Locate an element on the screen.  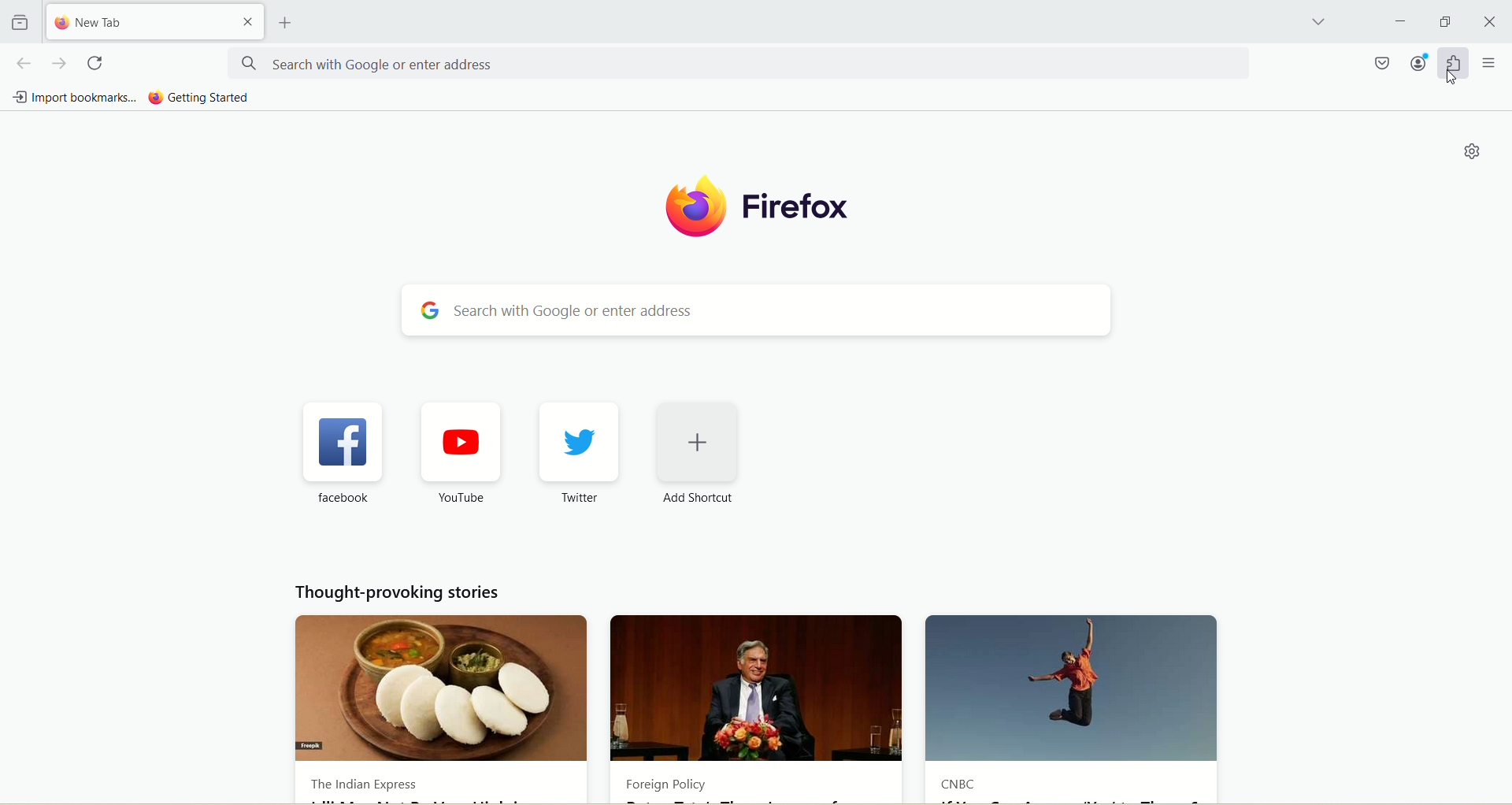
Move Forwards is located at coordinates (61, 63).